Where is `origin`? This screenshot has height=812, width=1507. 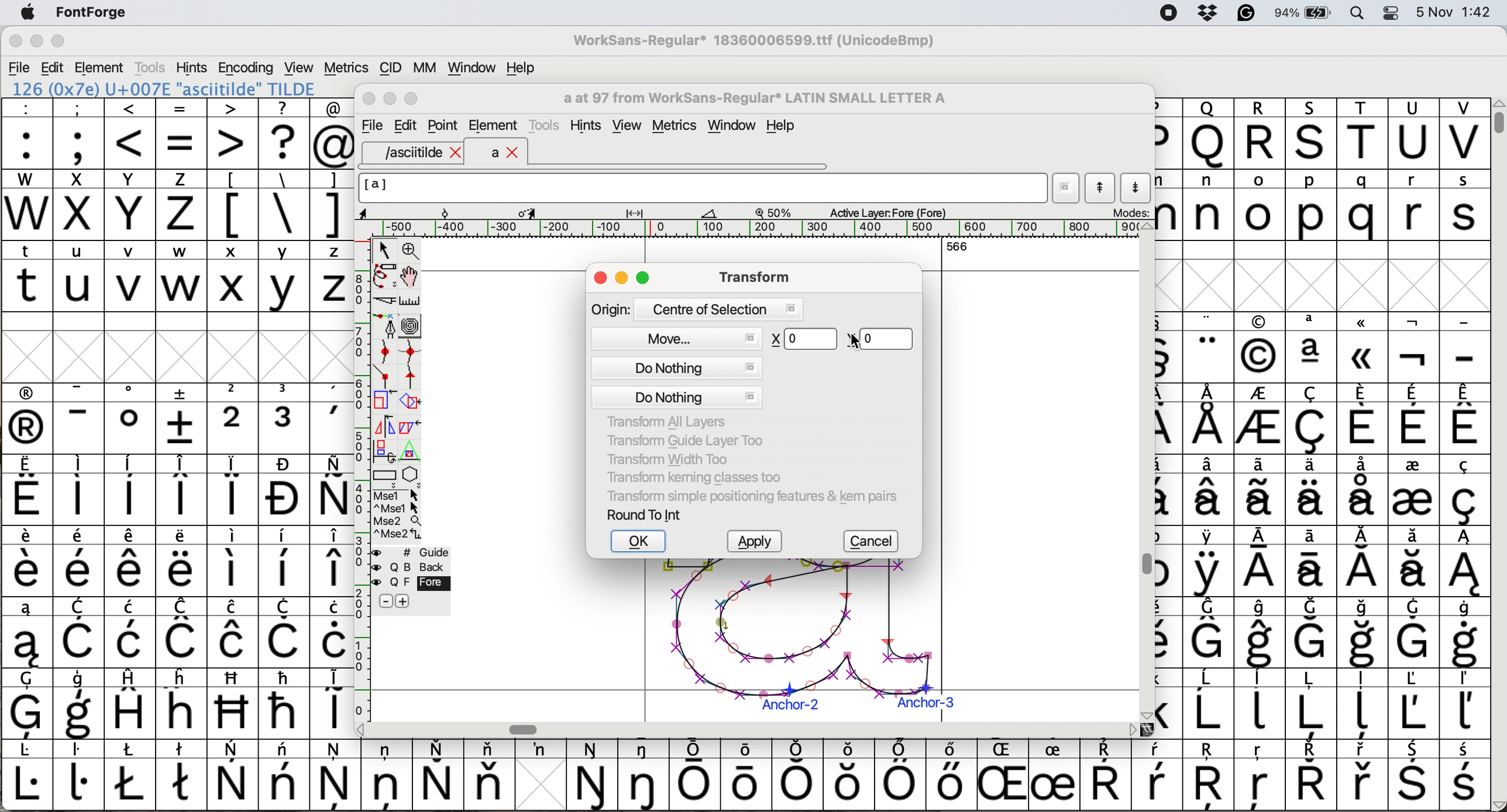
origin is located at coordinates (696, 308).